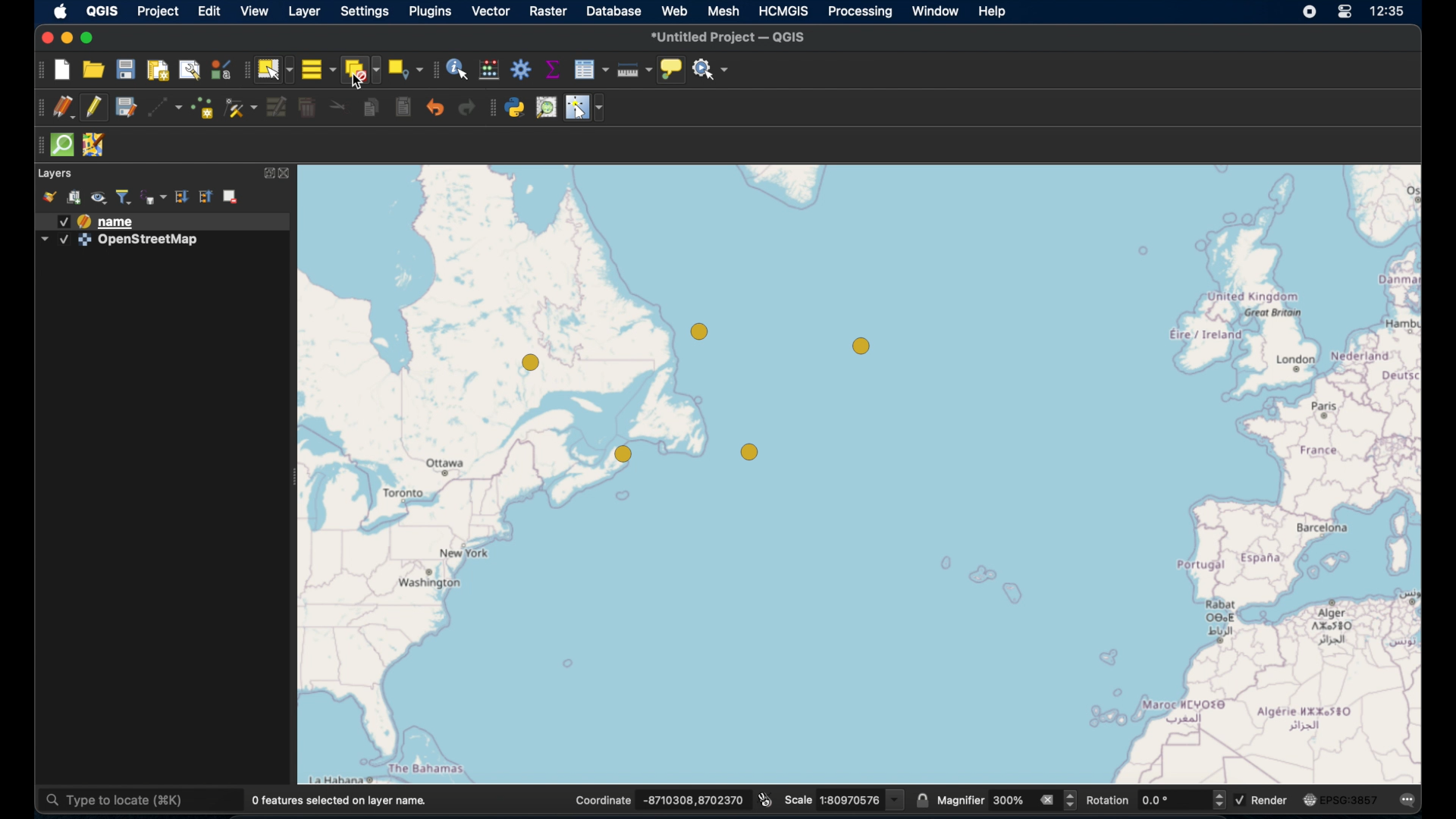 This screenshot has width=1456, height=819. Describe the element at coordinates (359, 82) in the screenshot. I see `cursor` at that location.